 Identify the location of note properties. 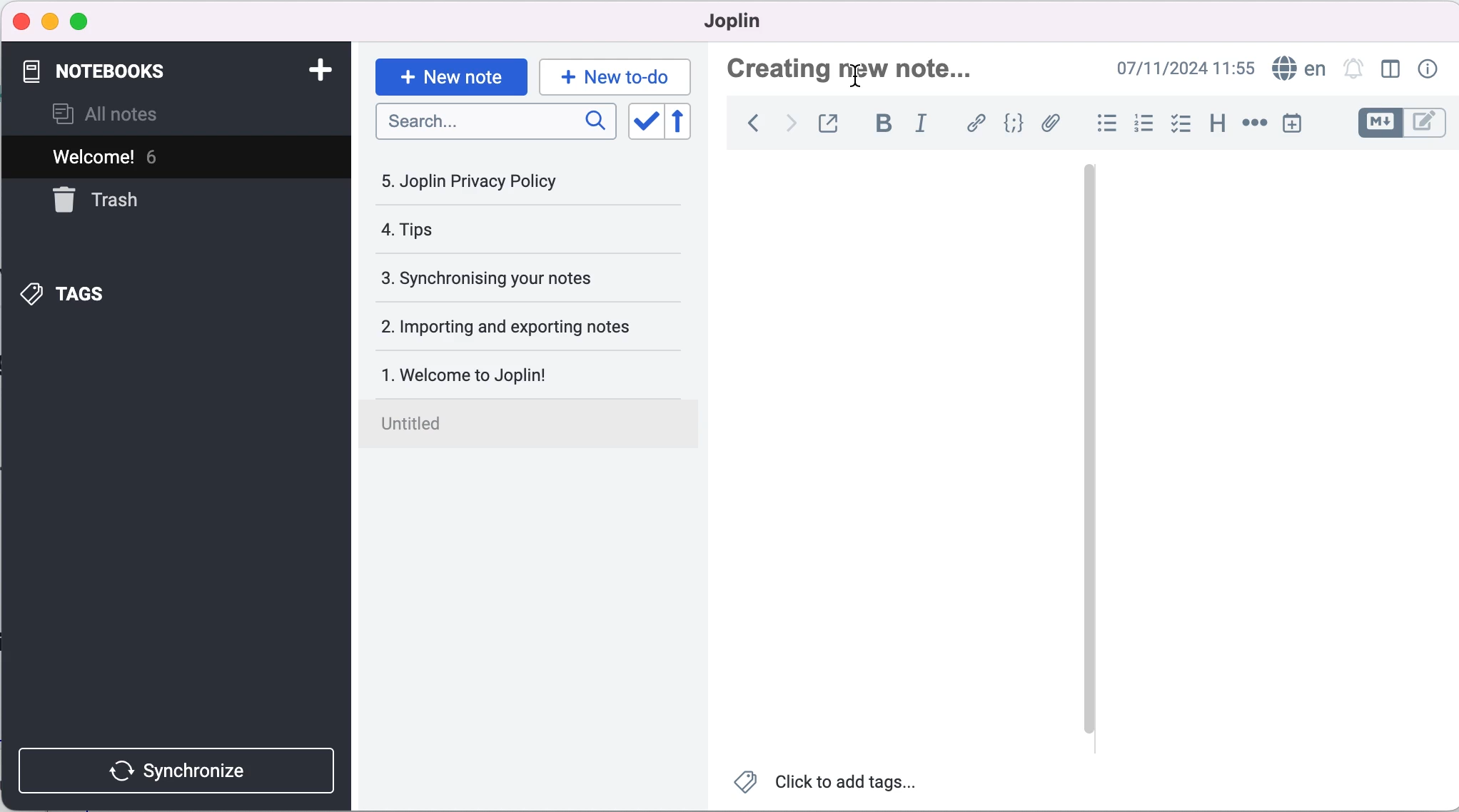
(1426, 70).